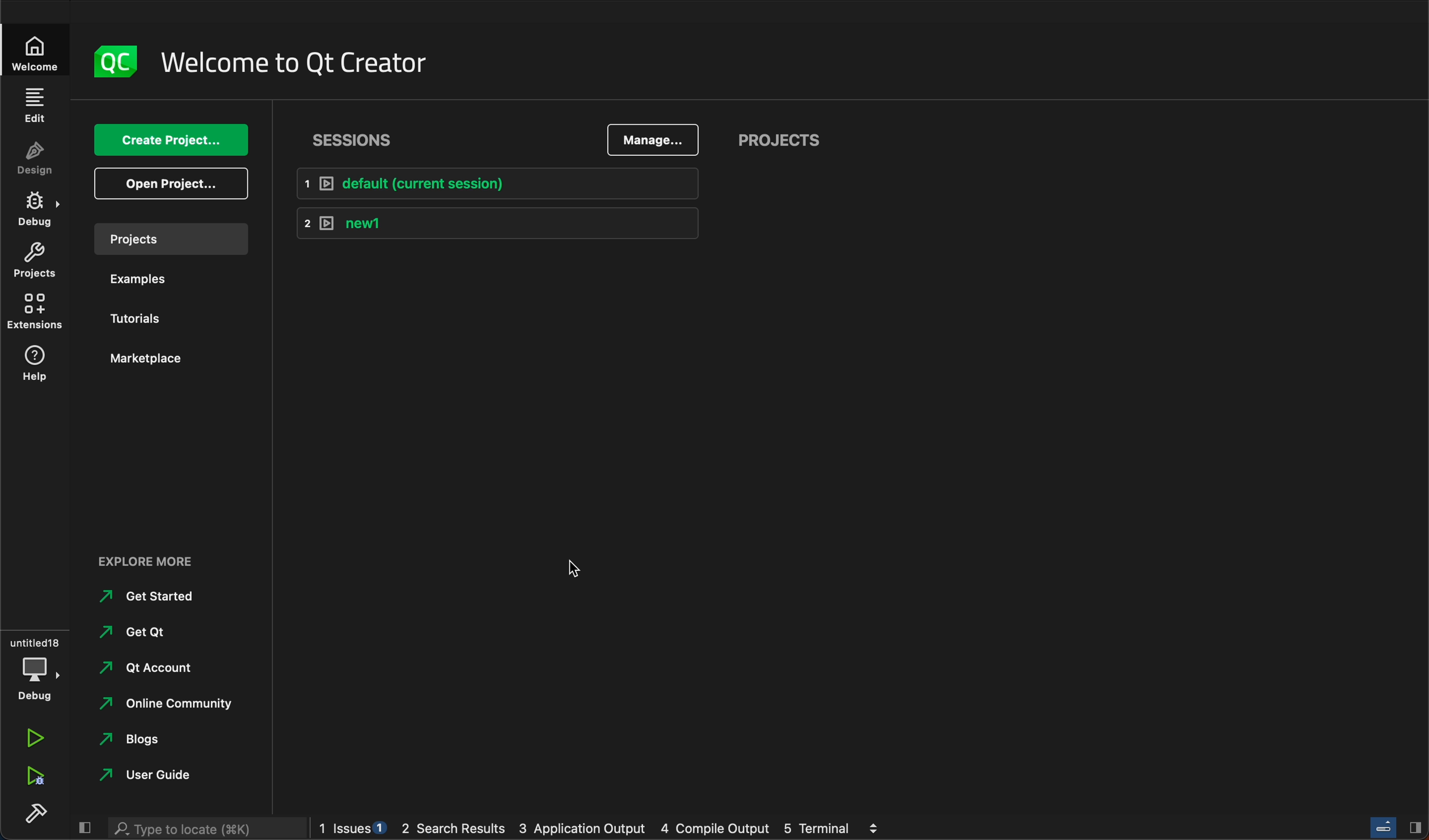 The image size is (1429, 840). What do you see at coordinates (173, 183) in the screenshot?
I see `open` at bounding box center [173, 183].